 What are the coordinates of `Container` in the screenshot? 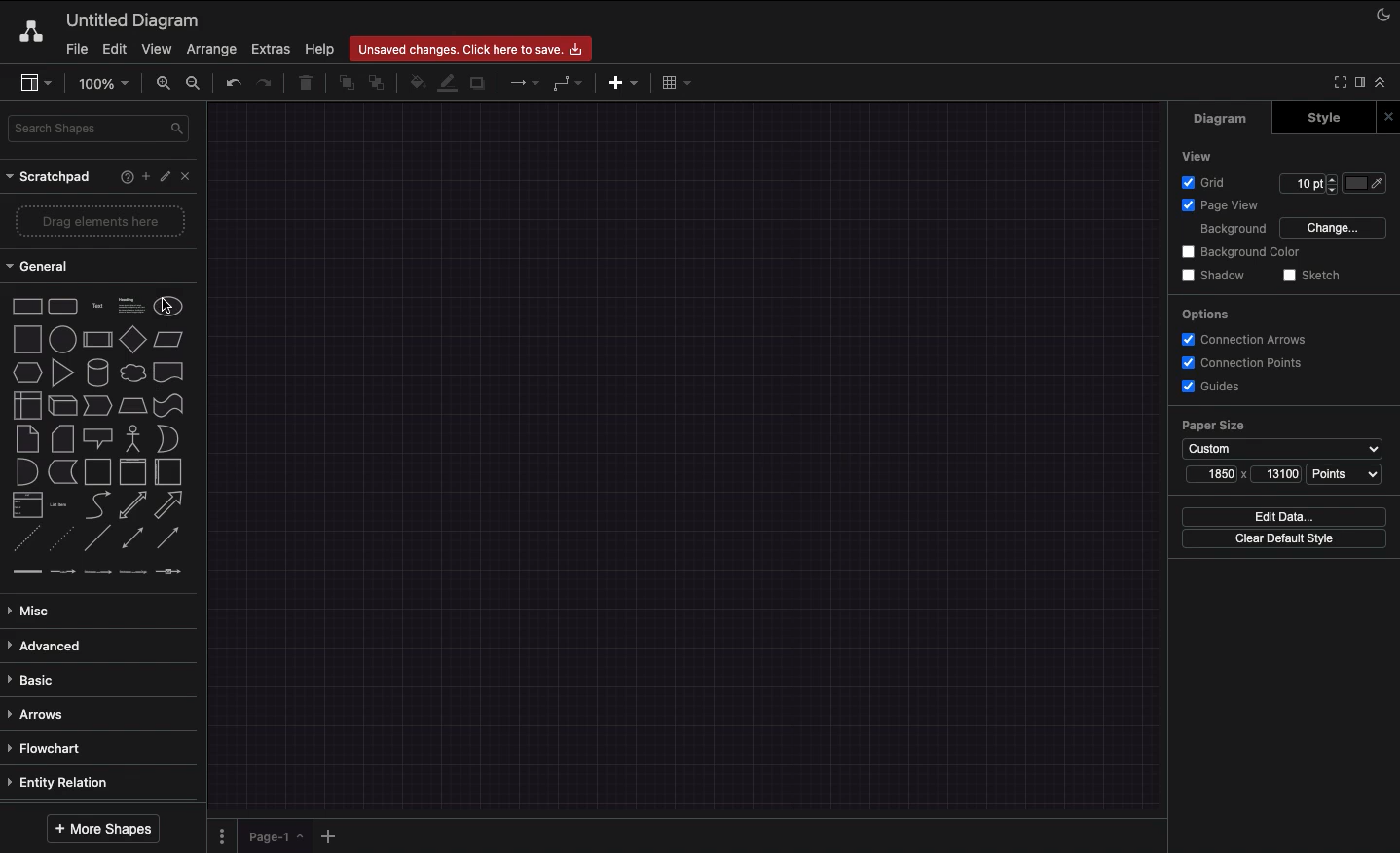 It's located at (97, 471).